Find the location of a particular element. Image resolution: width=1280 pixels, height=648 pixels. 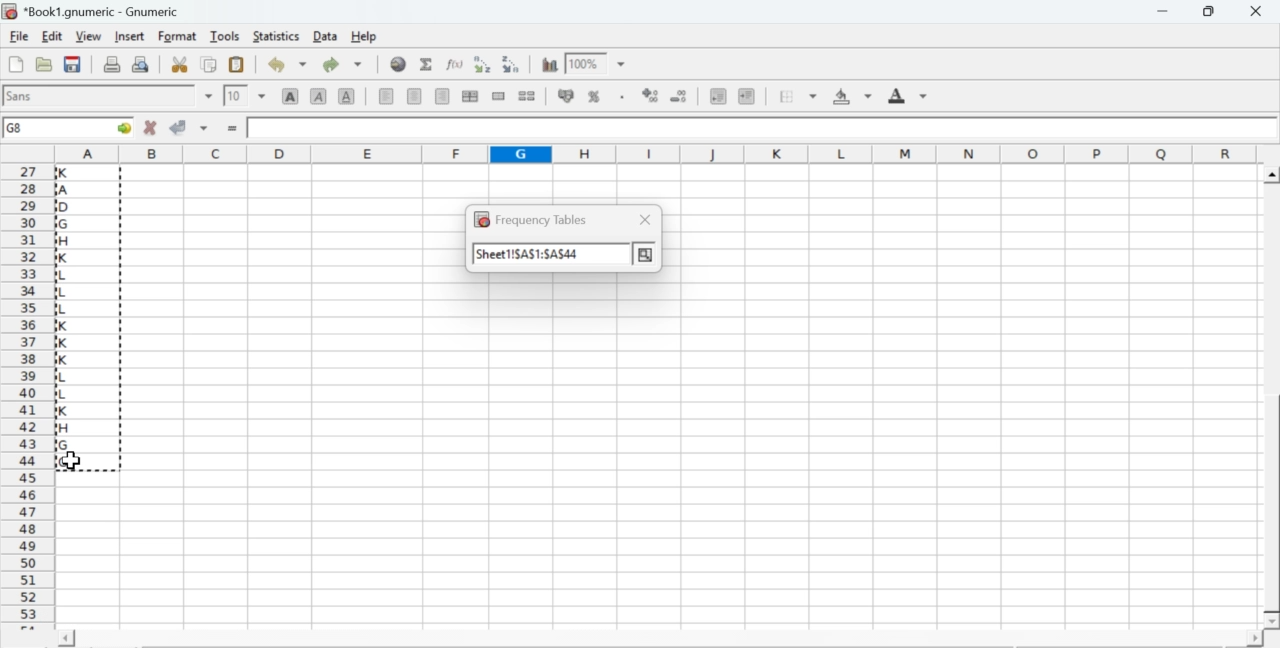

redo is located at coordinates (342, 64).